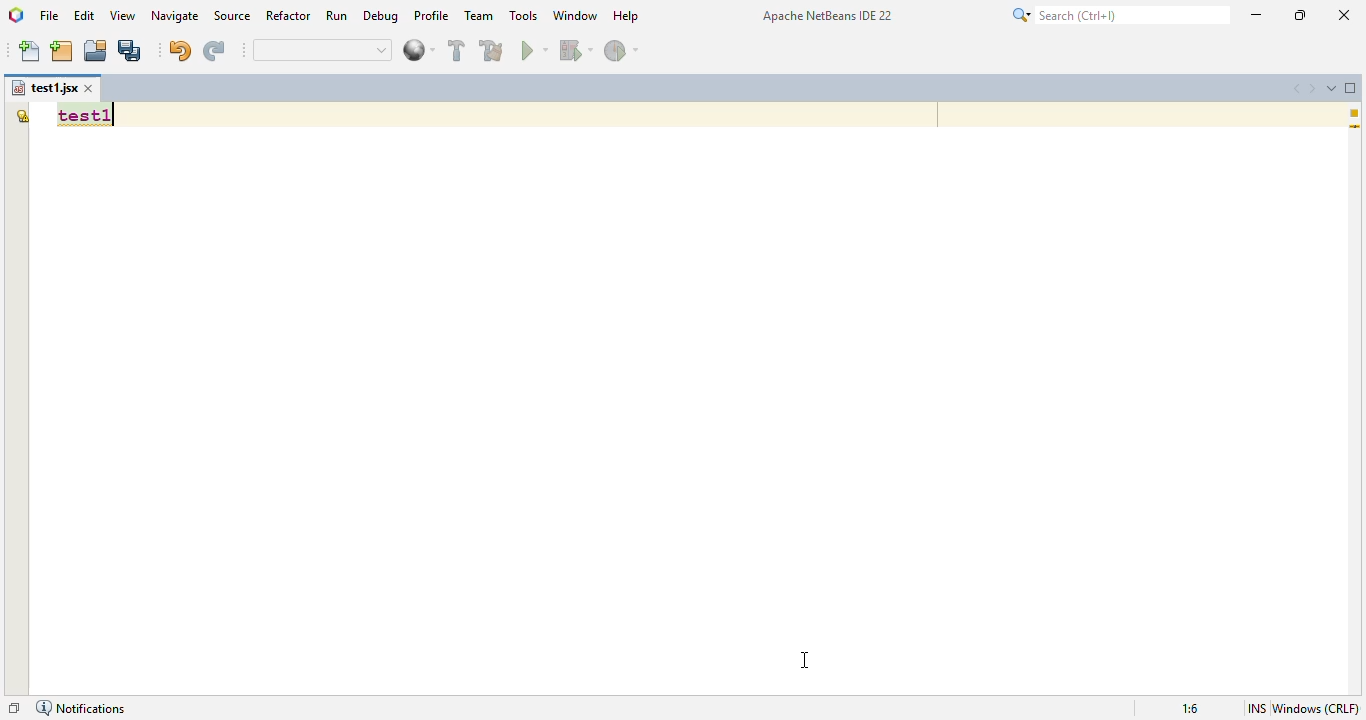  What do you see at coordinates (179, 50) in the screenshot?
I see `undo` at bounding box center [179, 50].